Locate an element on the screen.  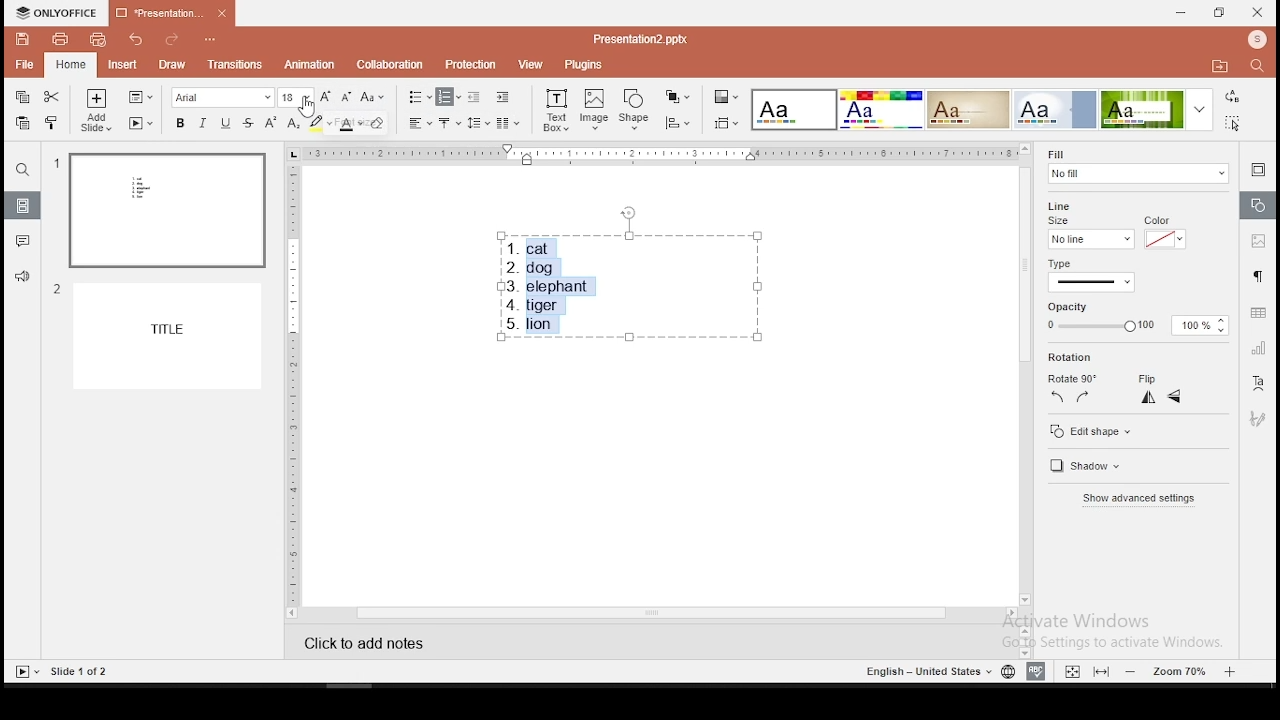
change slide layout is located at coordinates (140, 96).